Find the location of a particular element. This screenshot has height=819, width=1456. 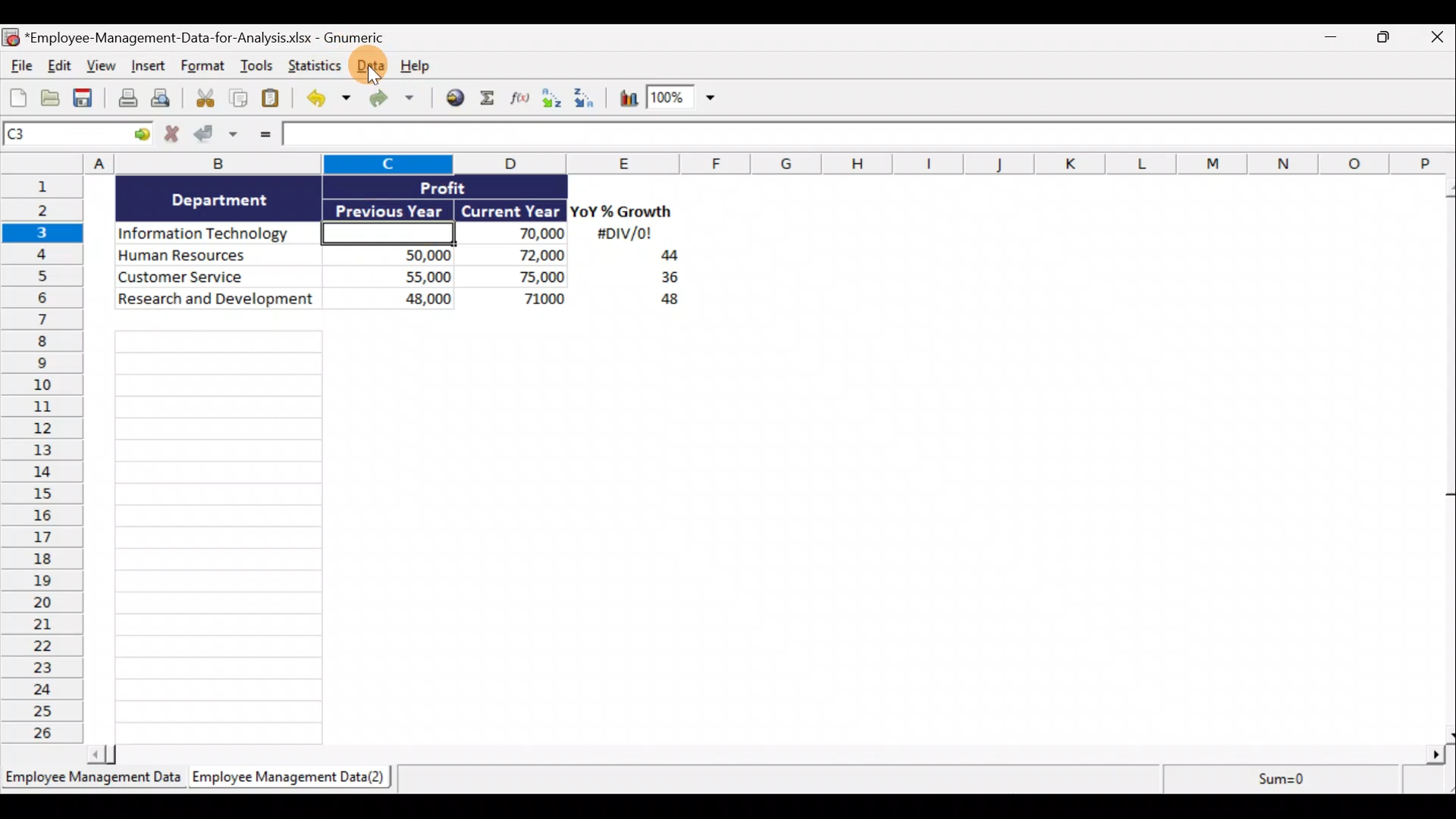

Minimize is located at coordinates (1336, 40).